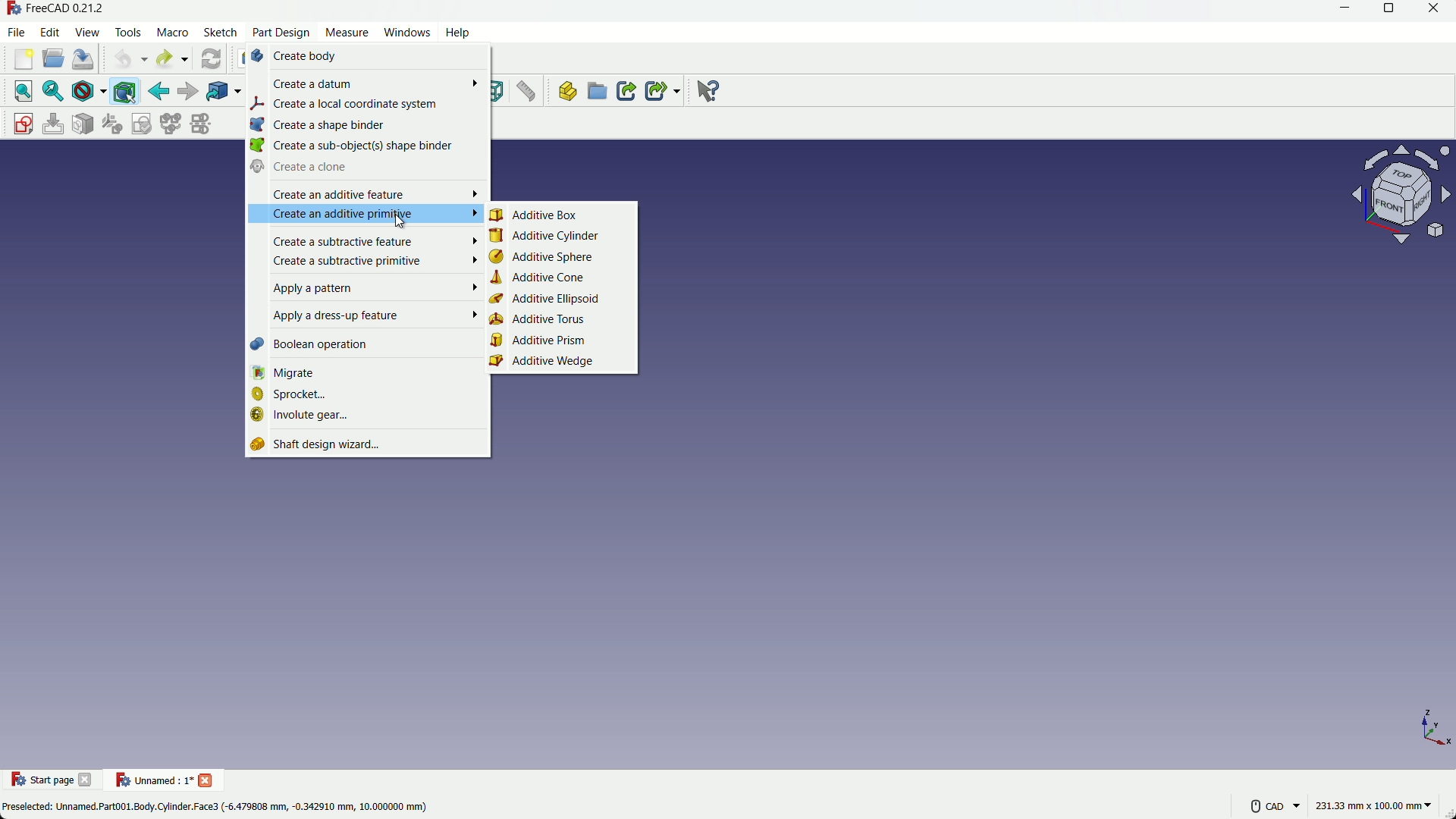  What do you see at coordinates (367, 107) in the screenshot?
I see `create local coordinate system` at bounding box center [367, 107].